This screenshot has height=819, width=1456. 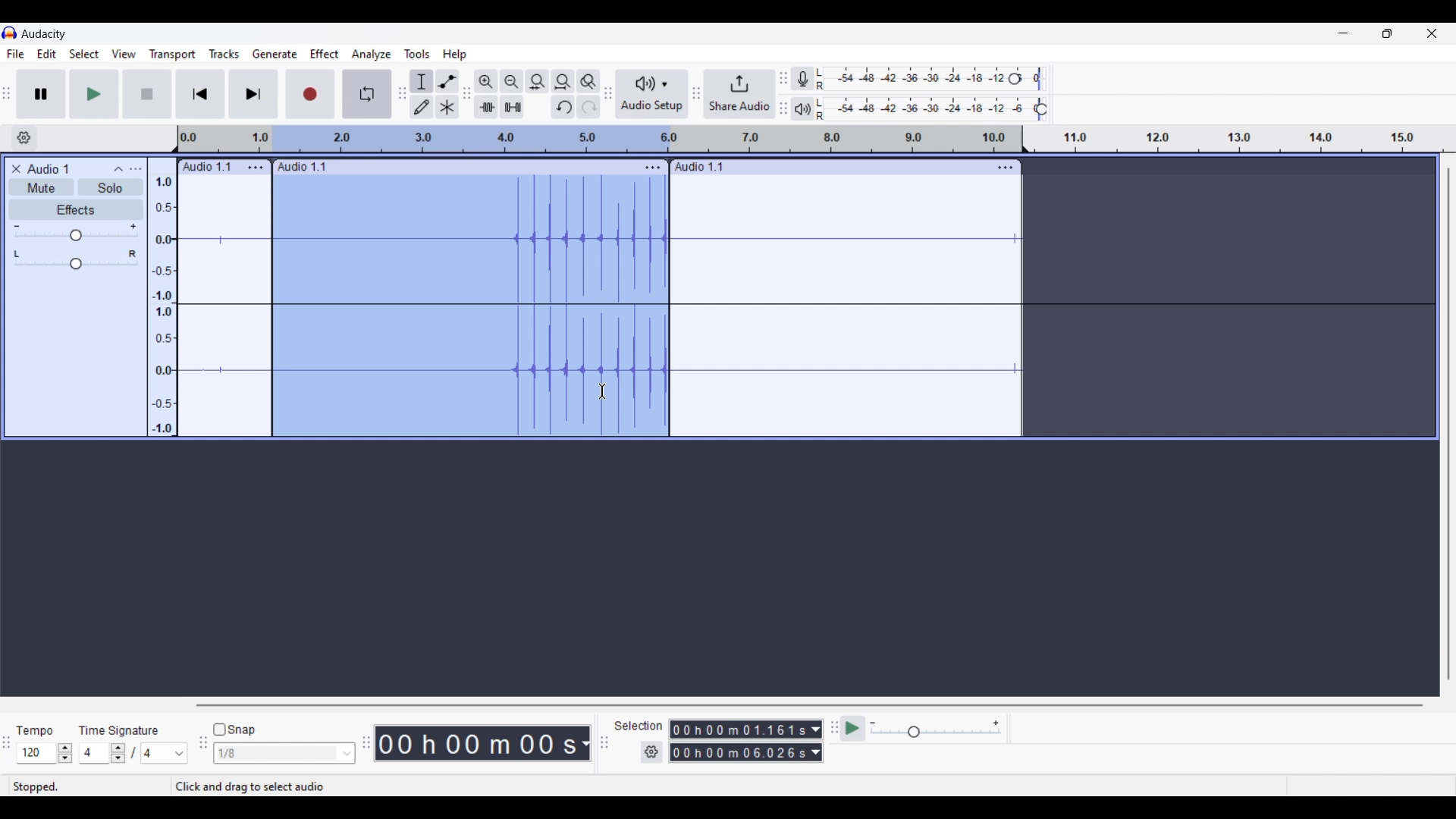 What do you see at coordinates (37, 753) in the screenshot?
I see `Type in tempo` at bounding box center [37, 753].